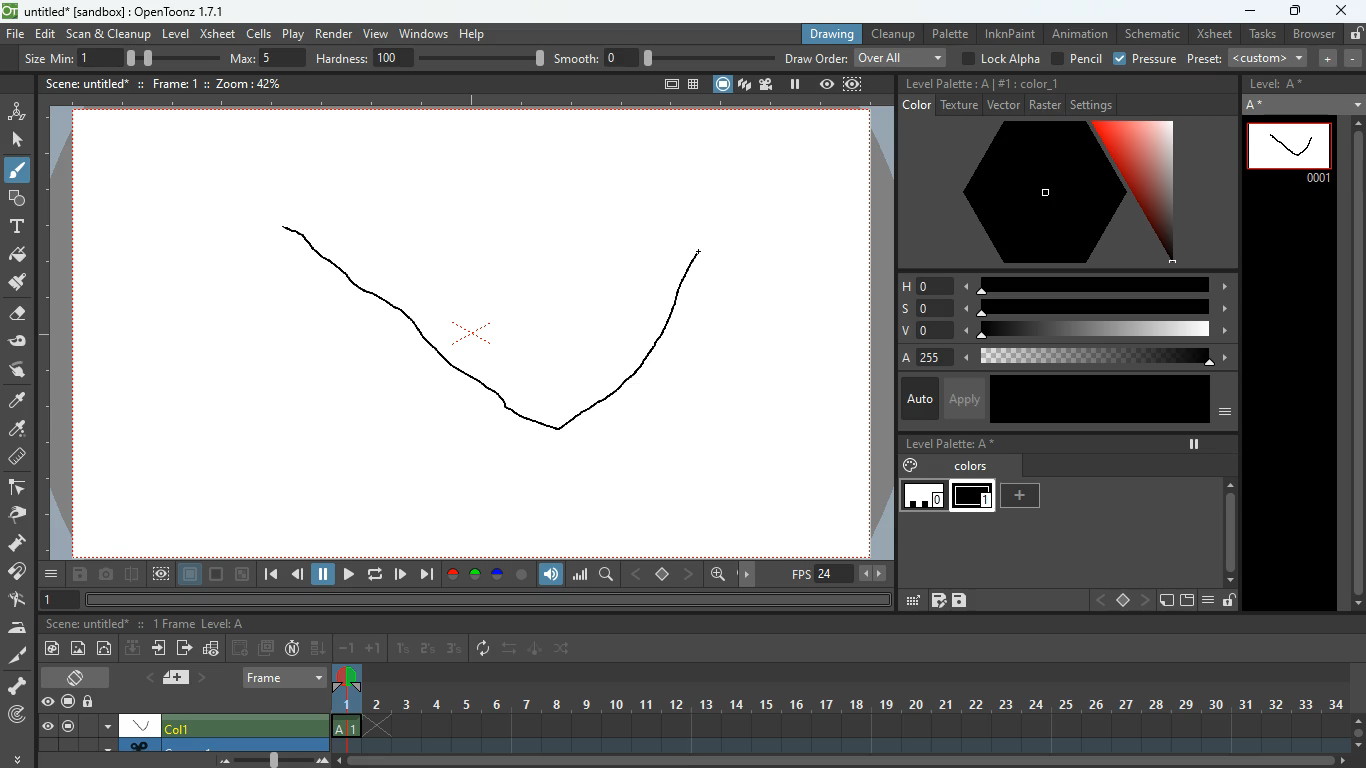  What do you see at coordinates (1023, 496) in the screenshot?
I see `add` at bounding box center [1023, 496].